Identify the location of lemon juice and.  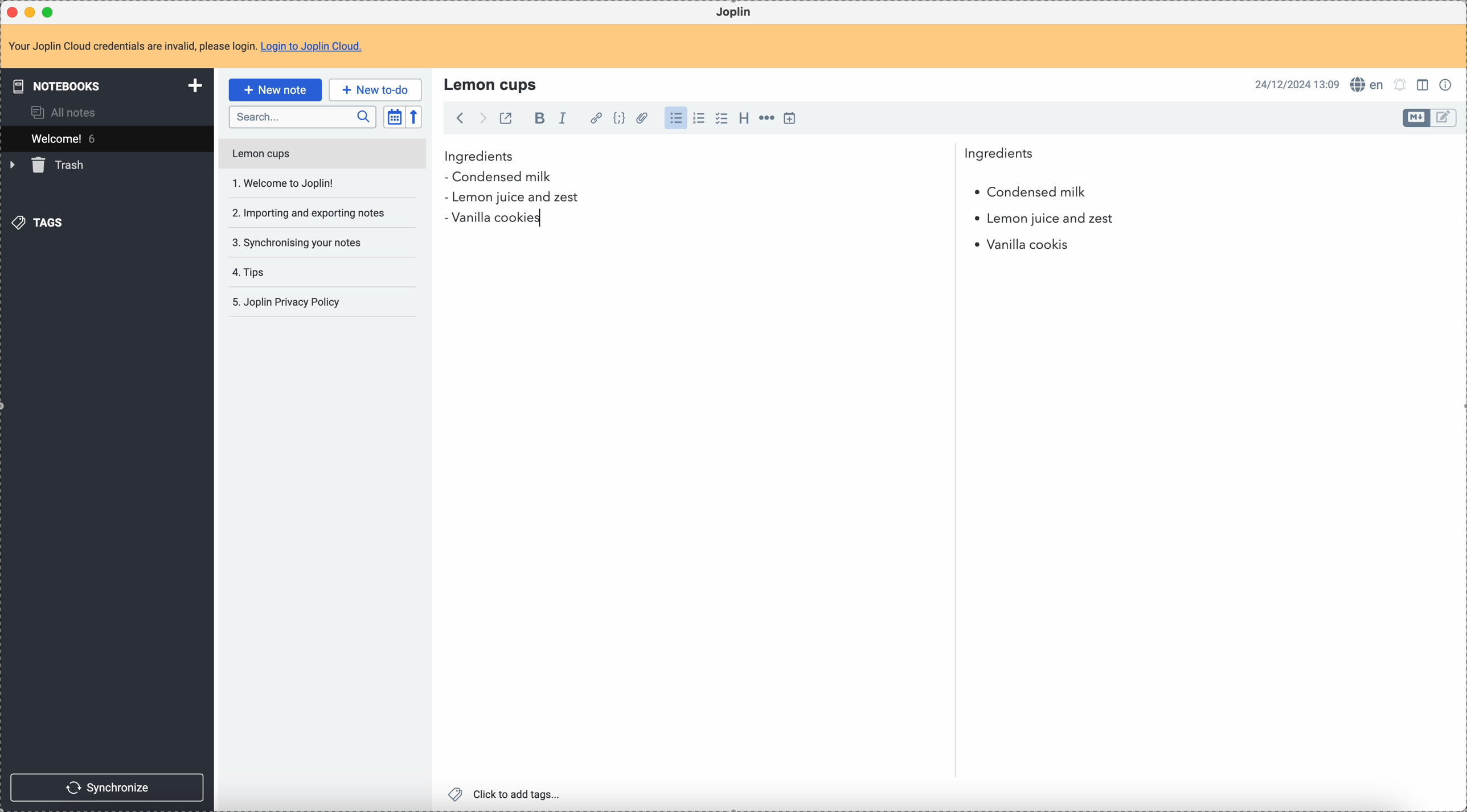
(1043, 220).